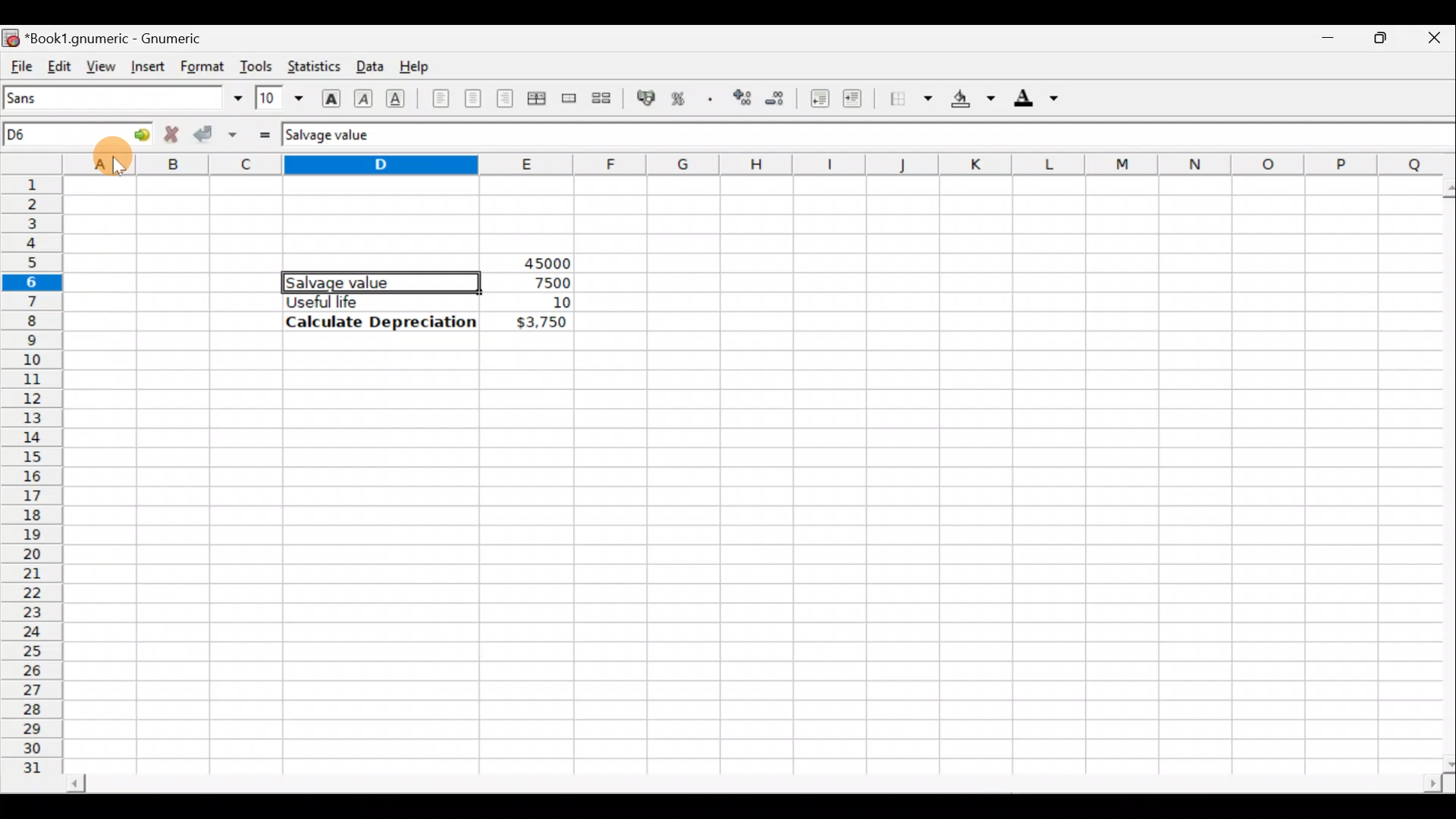 Image resolution: width=1456 pixels, height=819 pixels. Describe the element at coordinates (741, 99) in the screenshot. I see `Increase the number of decimals` at that location.